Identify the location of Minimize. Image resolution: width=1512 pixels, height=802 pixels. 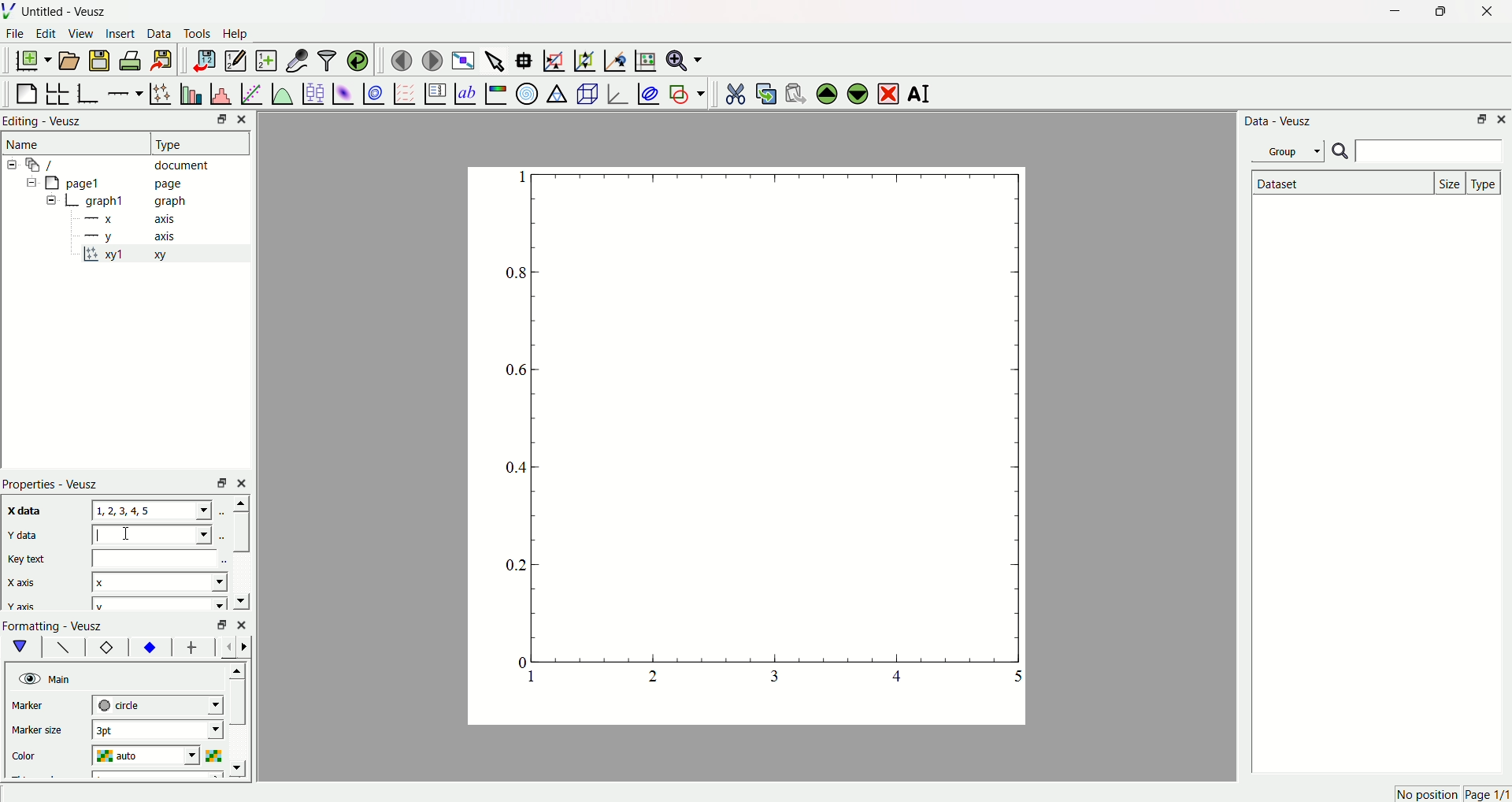
(217, 121).